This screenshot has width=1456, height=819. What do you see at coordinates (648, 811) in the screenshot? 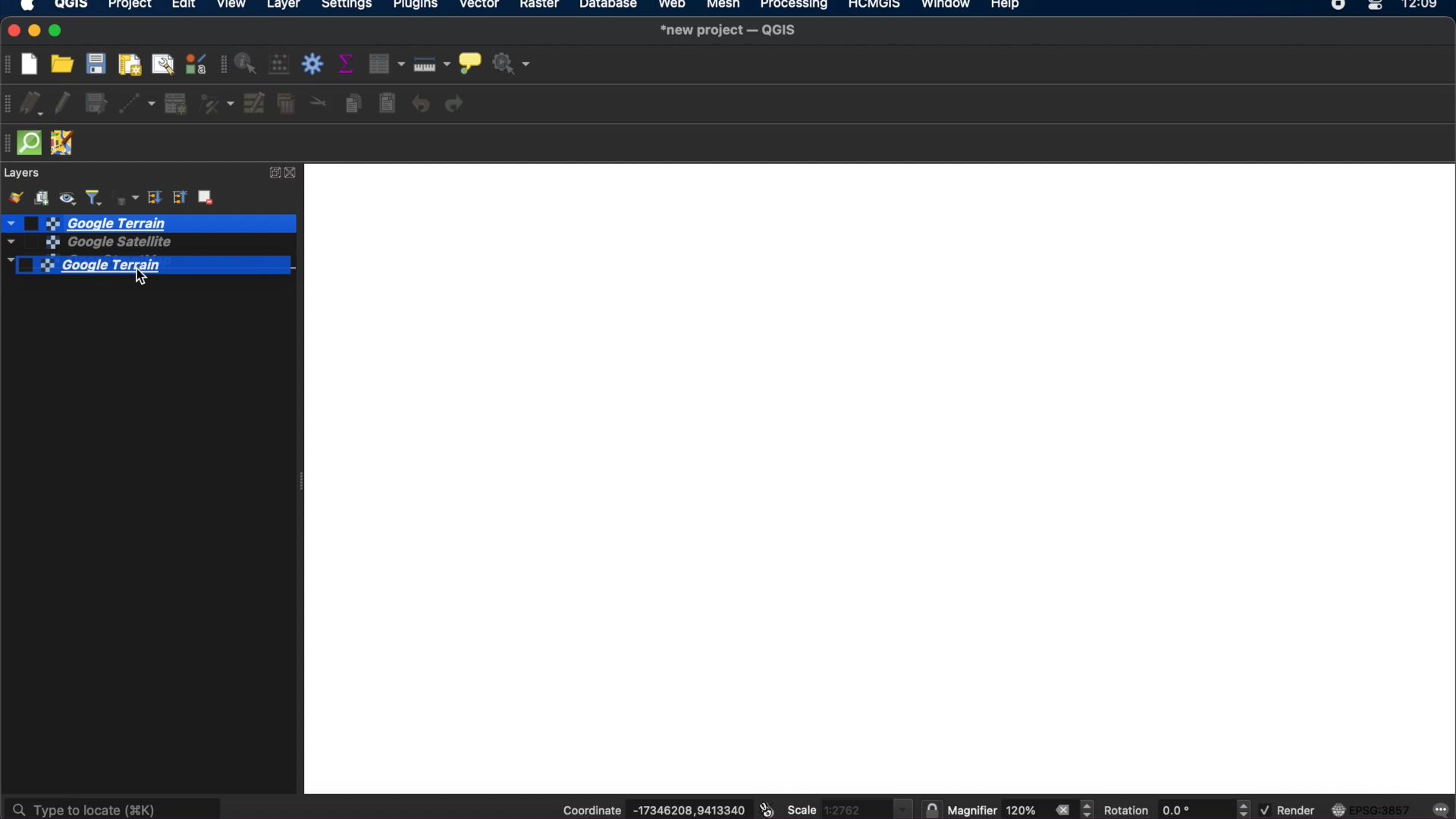
I see `coordinate -17346208,9413340` at bounding box center [648, 811].